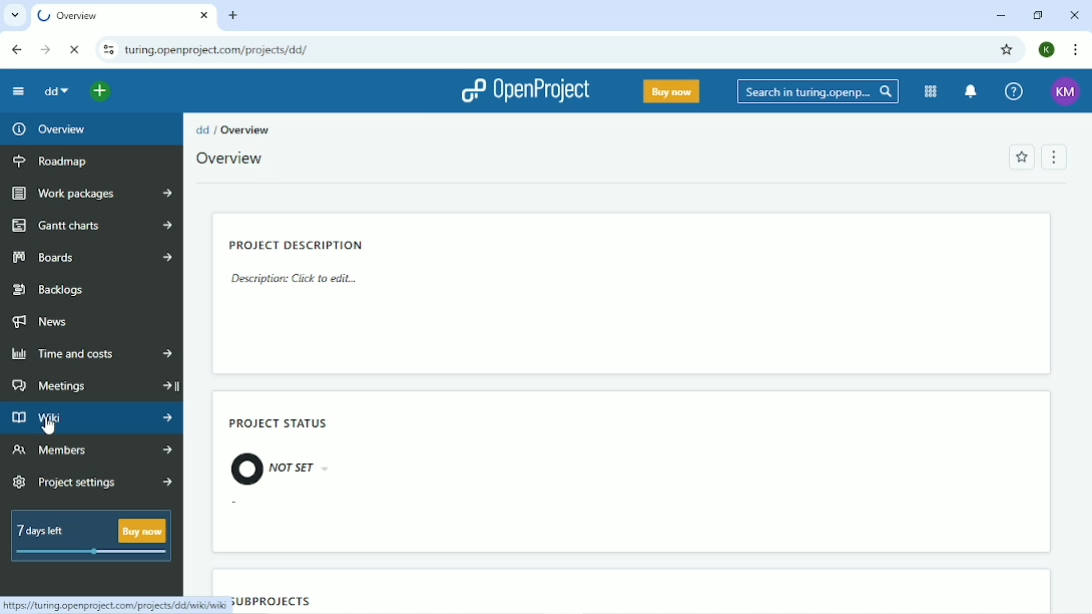 This screenshot has height=614, width=1092. I want to click on 7 days left, so click(90, 537).